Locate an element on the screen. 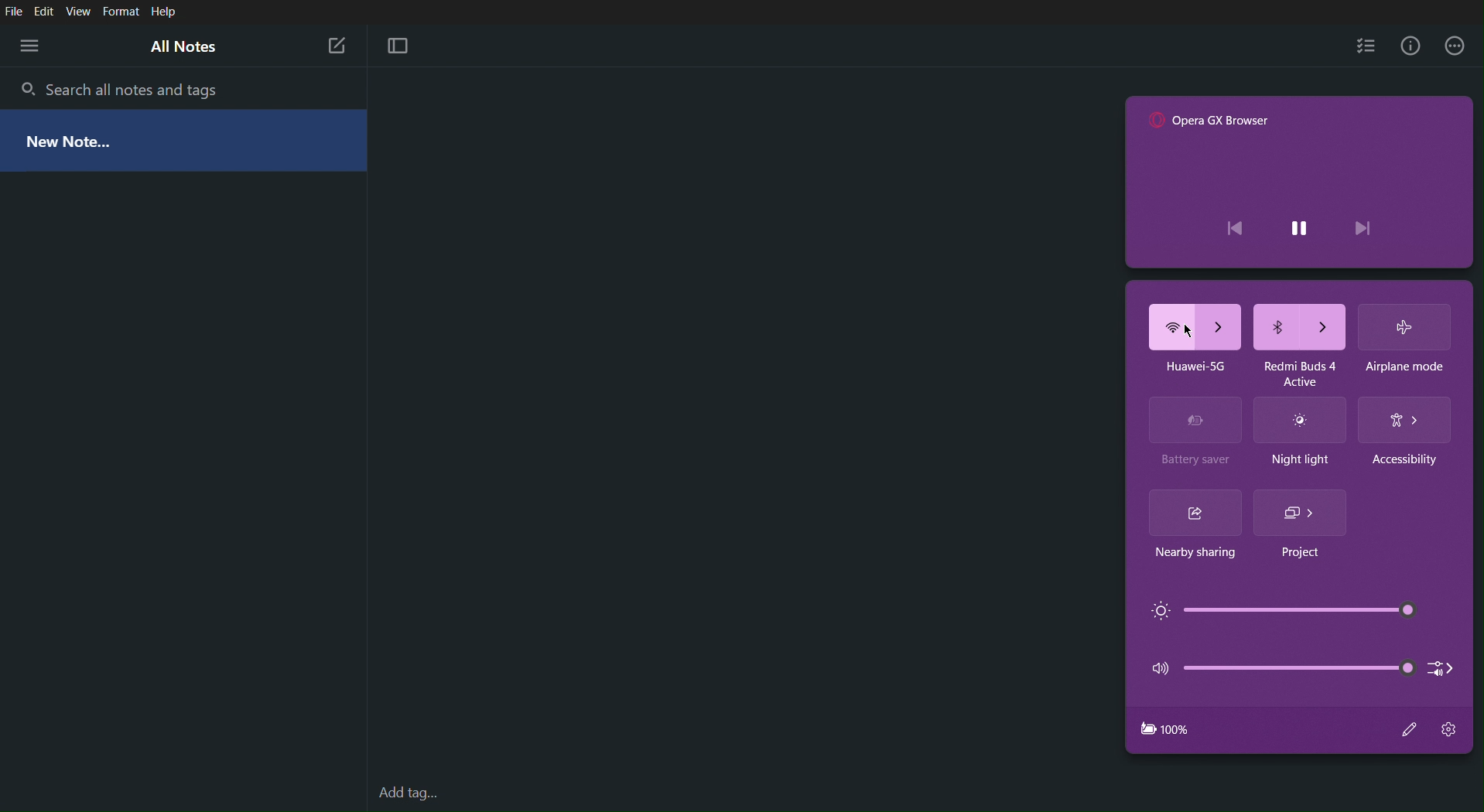  More is located at coordinates (1455, 46).